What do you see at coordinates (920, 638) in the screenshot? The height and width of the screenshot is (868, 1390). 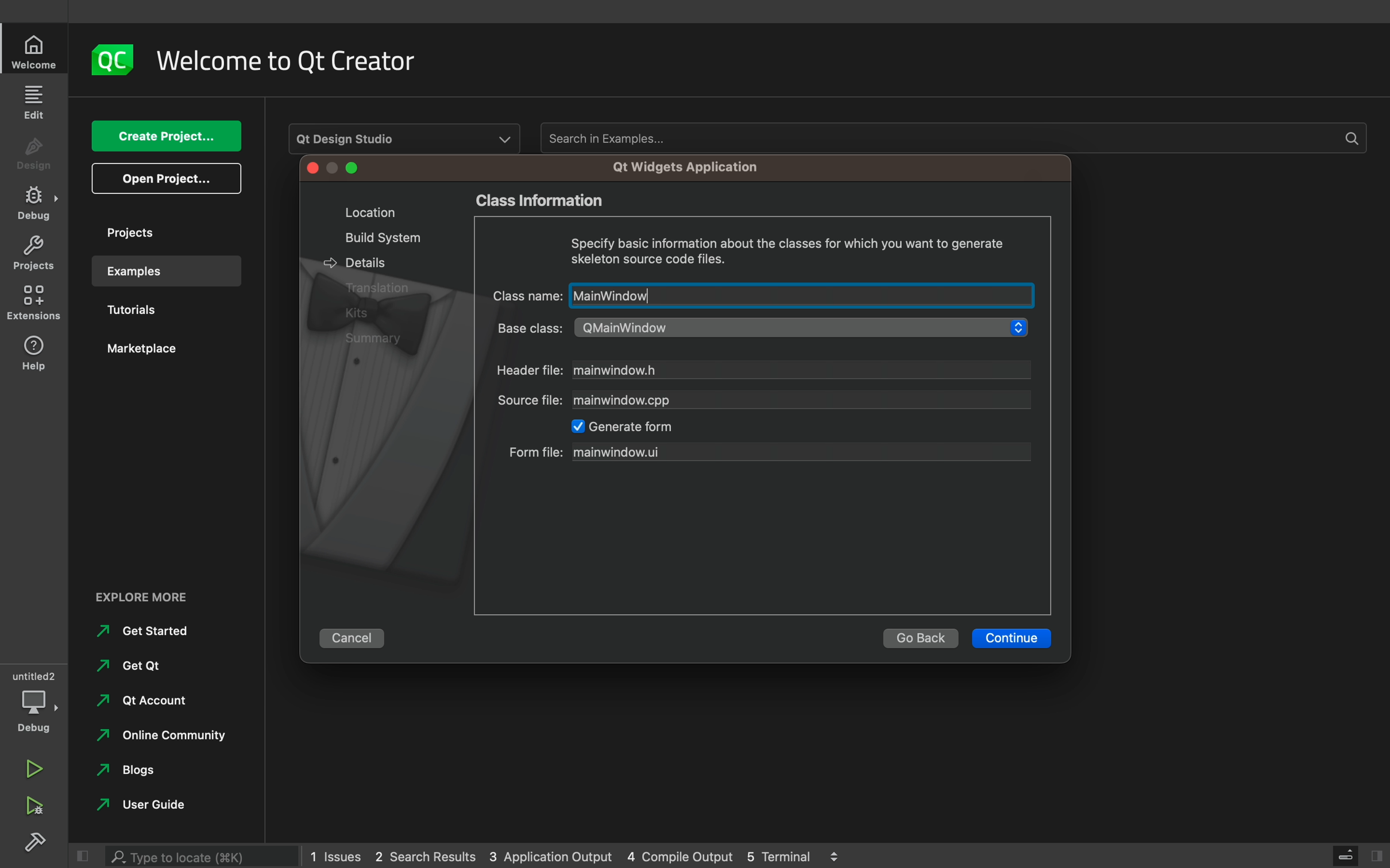 I see `go back` at bounding box center [920, 638].